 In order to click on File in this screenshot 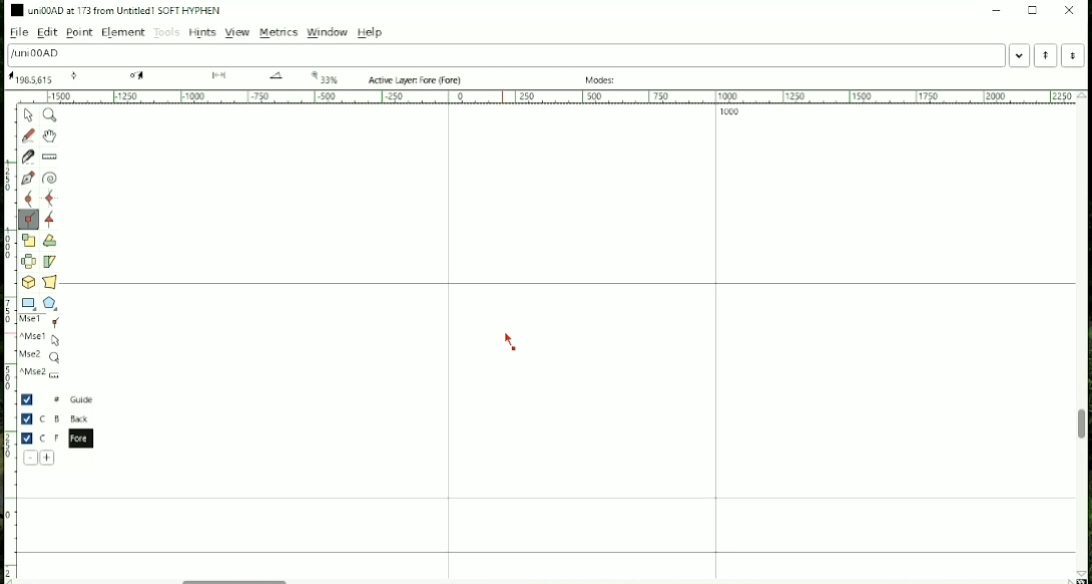, I will do `click(17, 33)`.